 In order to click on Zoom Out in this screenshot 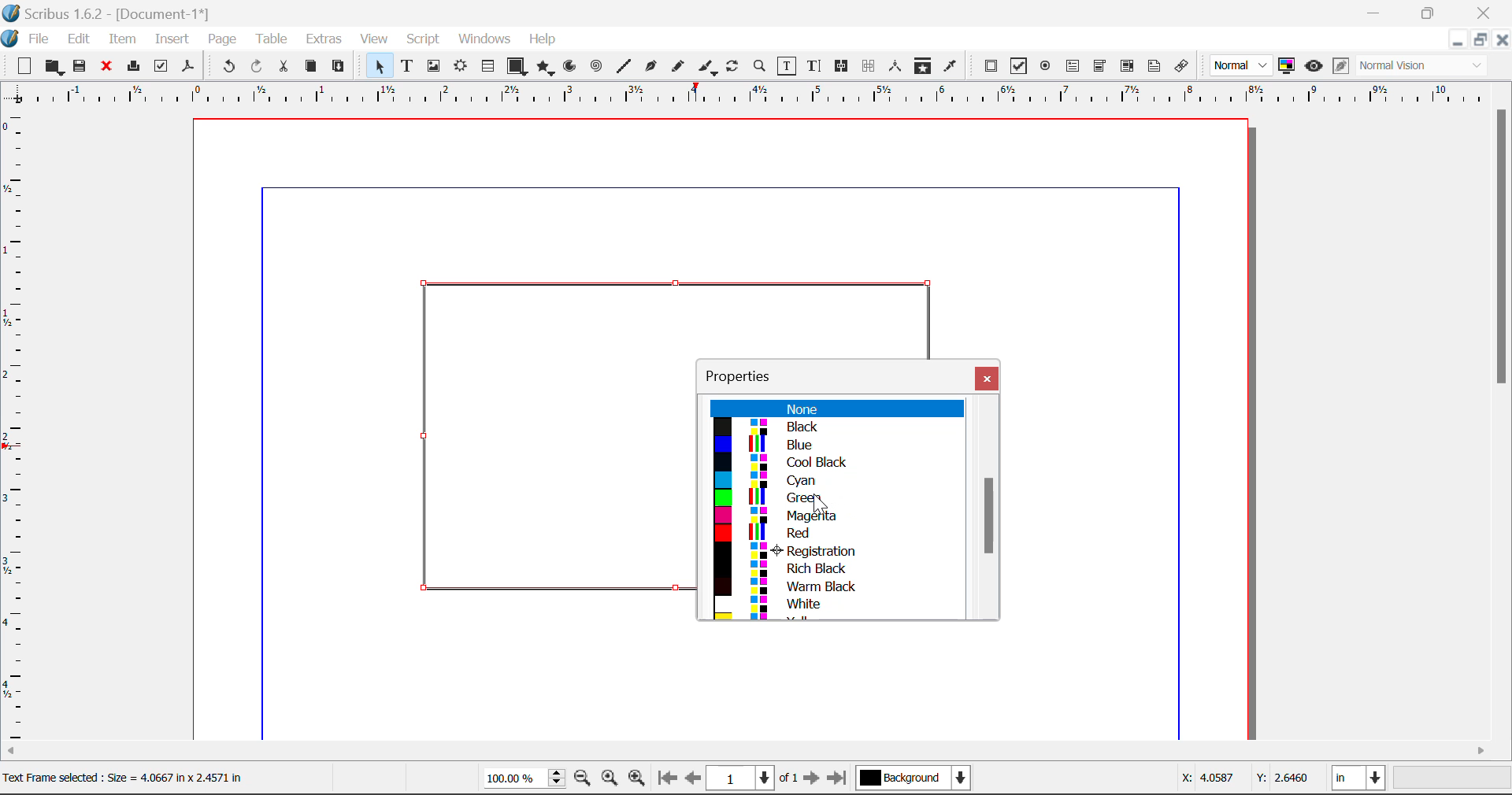, I will do `click(584, 780)`.